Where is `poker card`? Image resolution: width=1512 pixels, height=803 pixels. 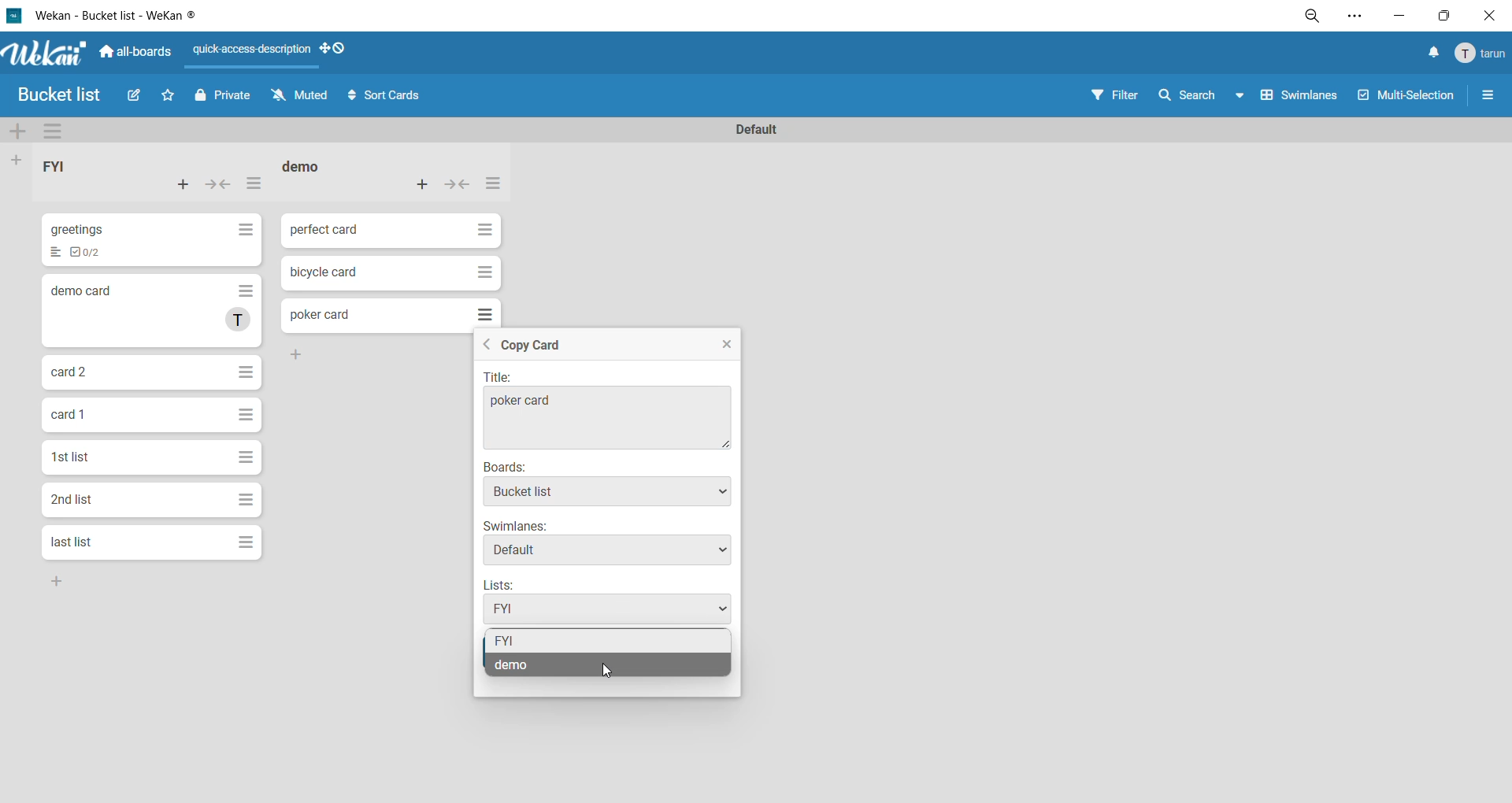 poker card is located at coordinates (320, 315).